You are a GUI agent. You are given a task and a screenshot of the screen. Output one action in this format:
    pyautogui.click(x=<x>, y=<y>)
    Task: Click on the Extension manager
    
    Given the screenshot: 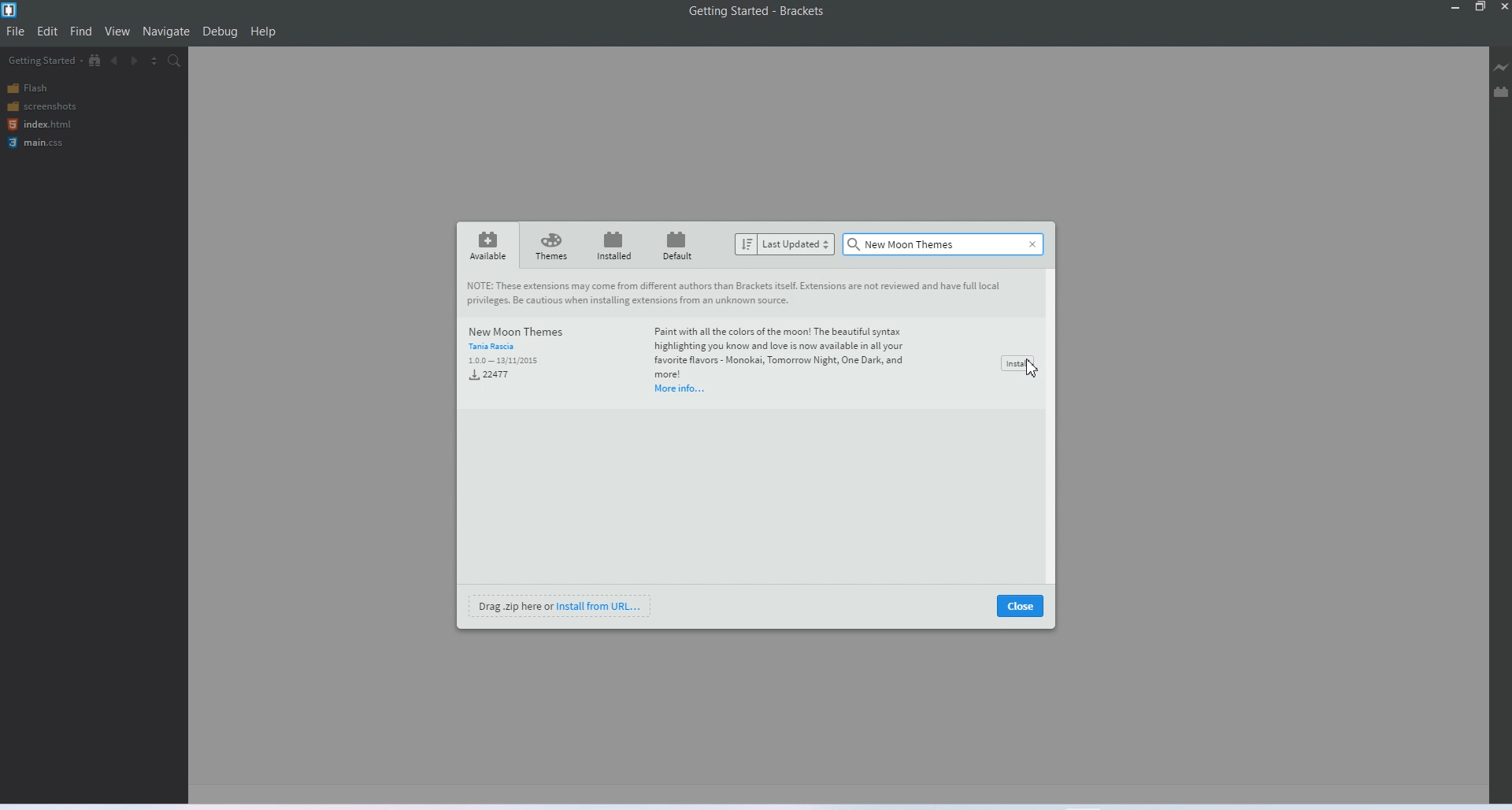 What is the action you would take?
    pyautogui.click(x=1501, y=87)
    